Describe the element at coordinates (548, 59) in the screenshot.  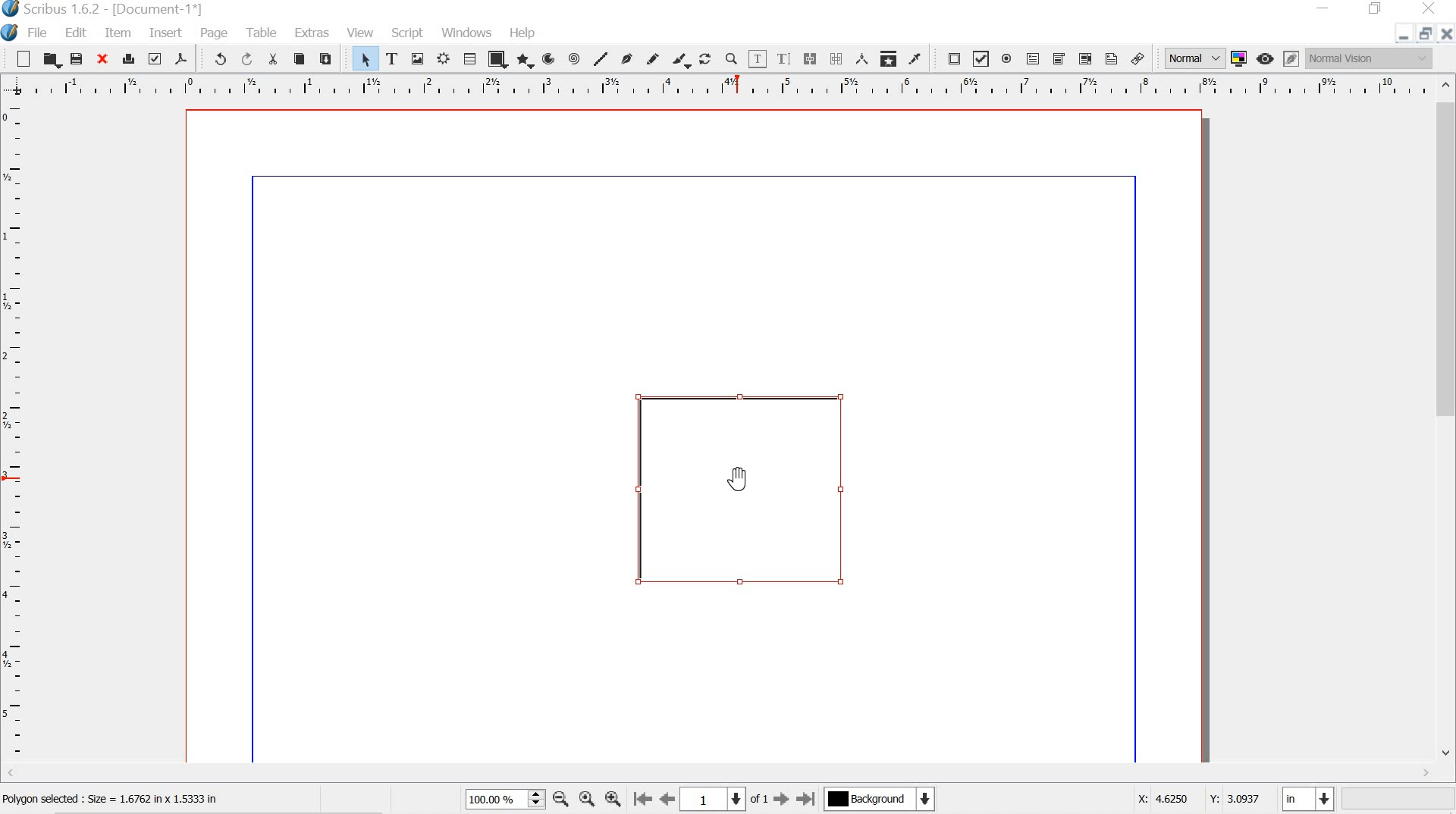
I see `arc` at that location.